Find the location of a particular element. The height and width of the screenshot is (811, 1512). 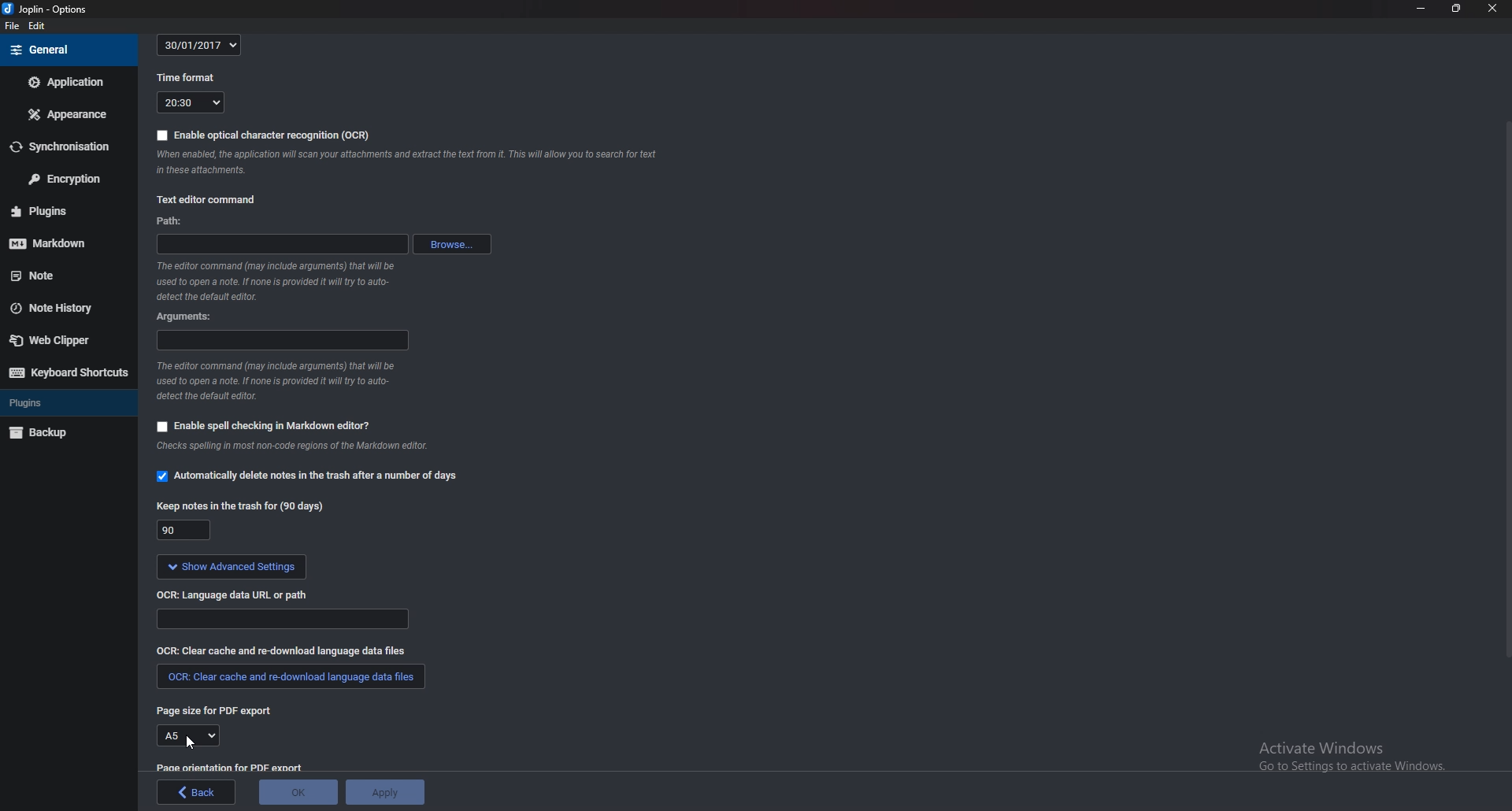

arguments is located at coordinates (281, 341).